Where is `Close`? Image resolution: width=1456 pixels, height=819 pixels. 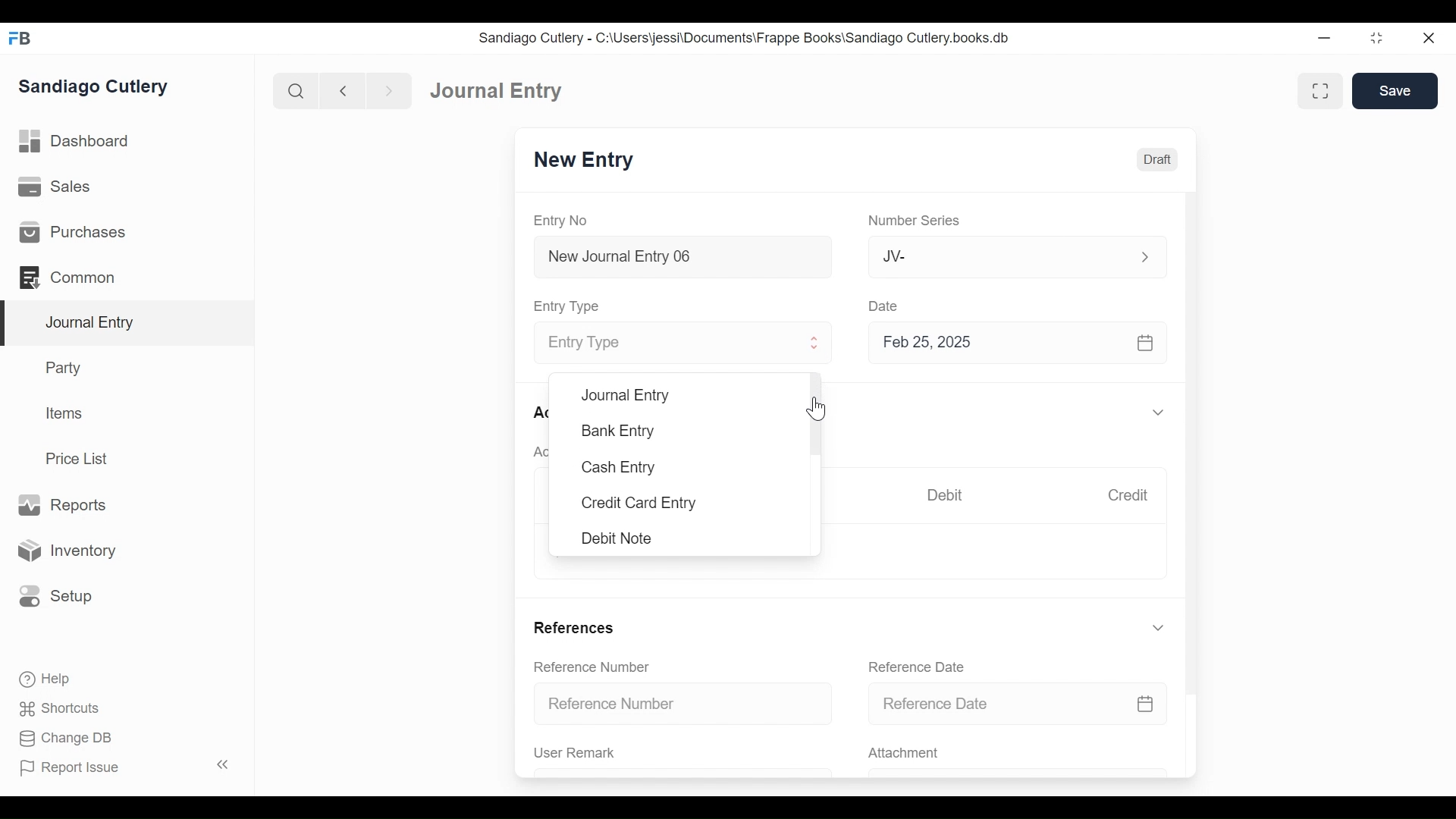
Close is located at coordinates (1431, 37).